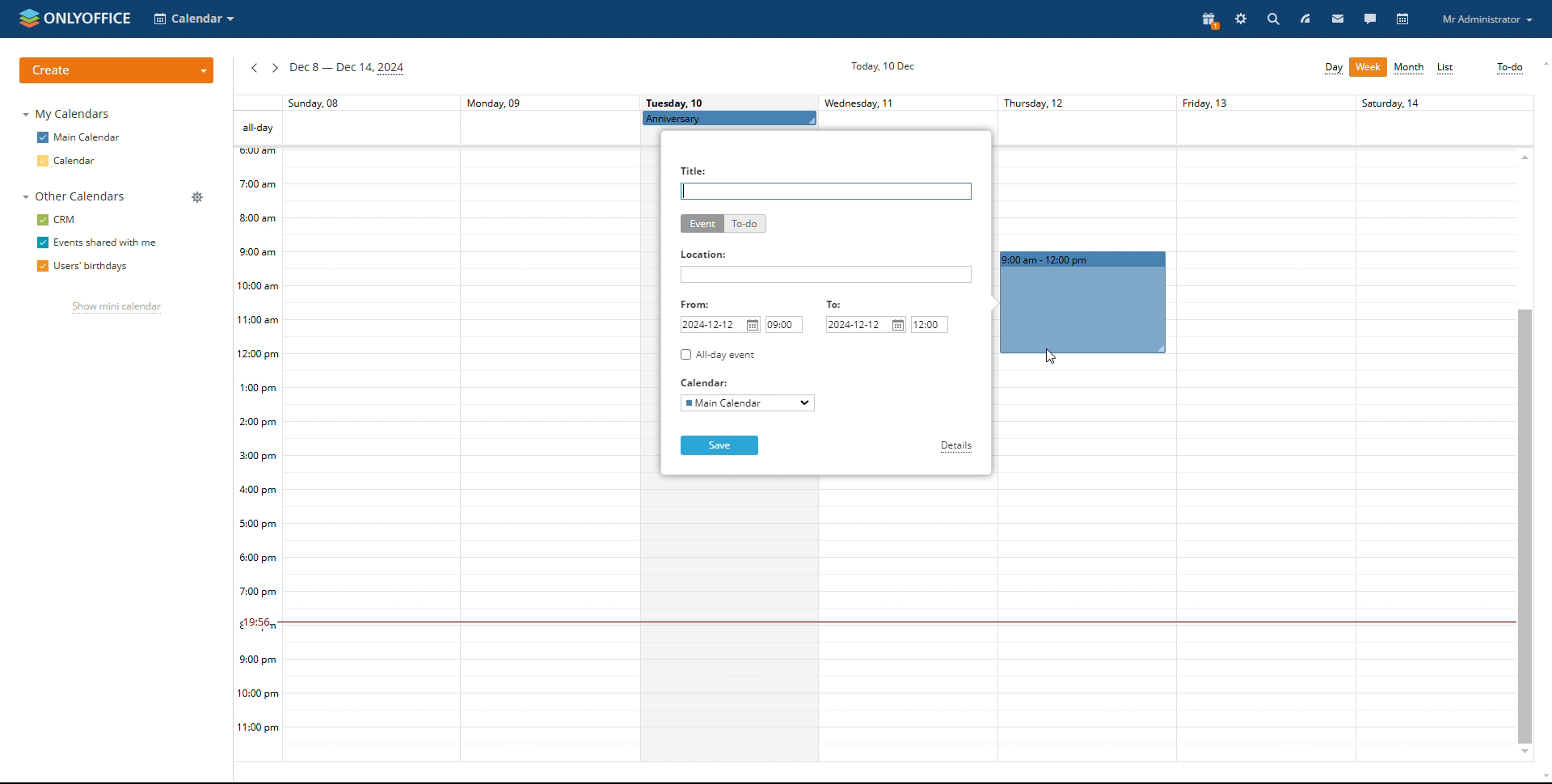 The width and height of the screenshot is (1552, 784). Describe the element at coordinates (67, 220) in the screenshot. I see `crm` at that location.